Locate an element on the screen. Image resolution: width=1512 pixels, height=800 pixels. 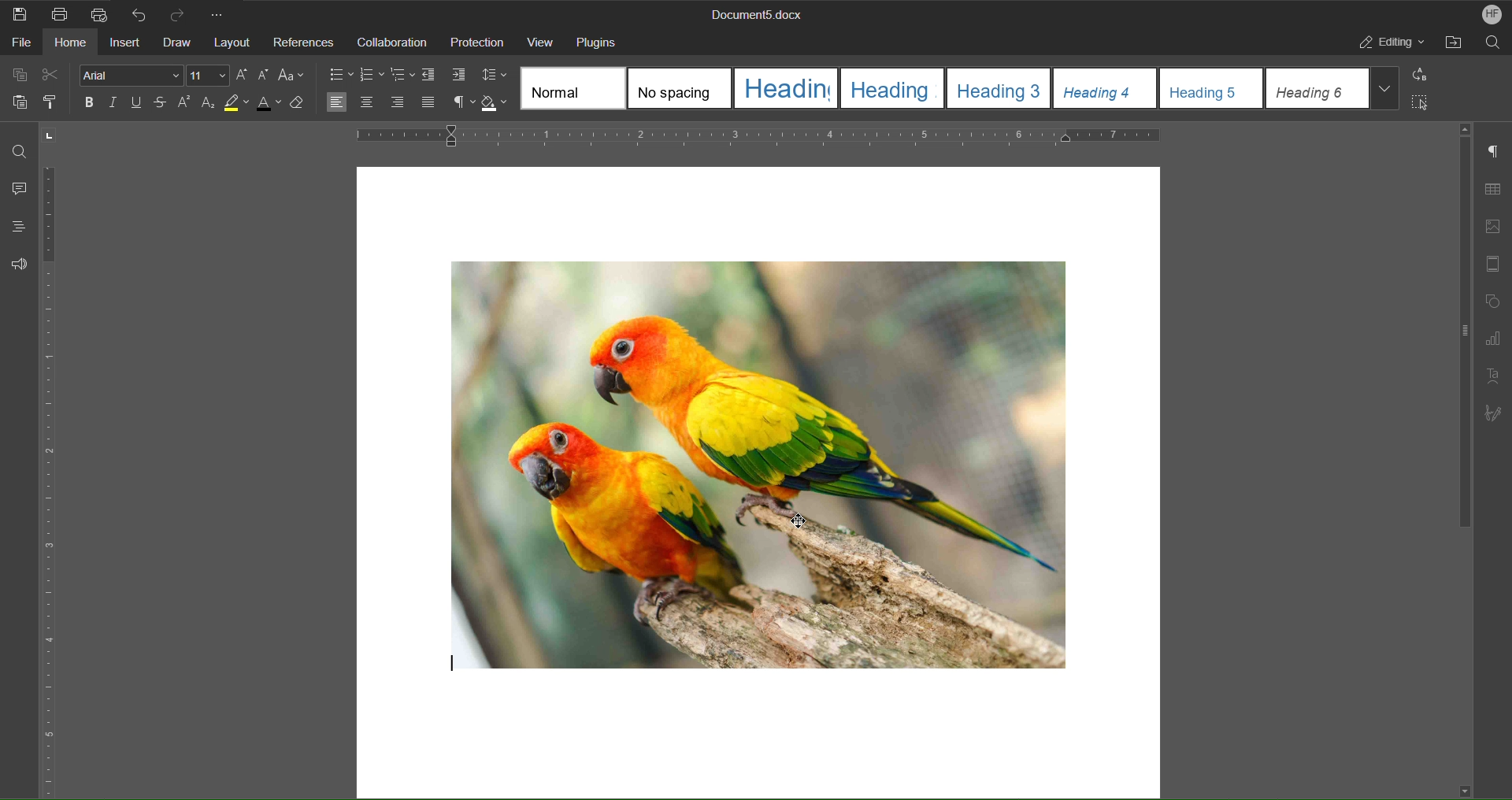
File is located at coordinates (17, 45).